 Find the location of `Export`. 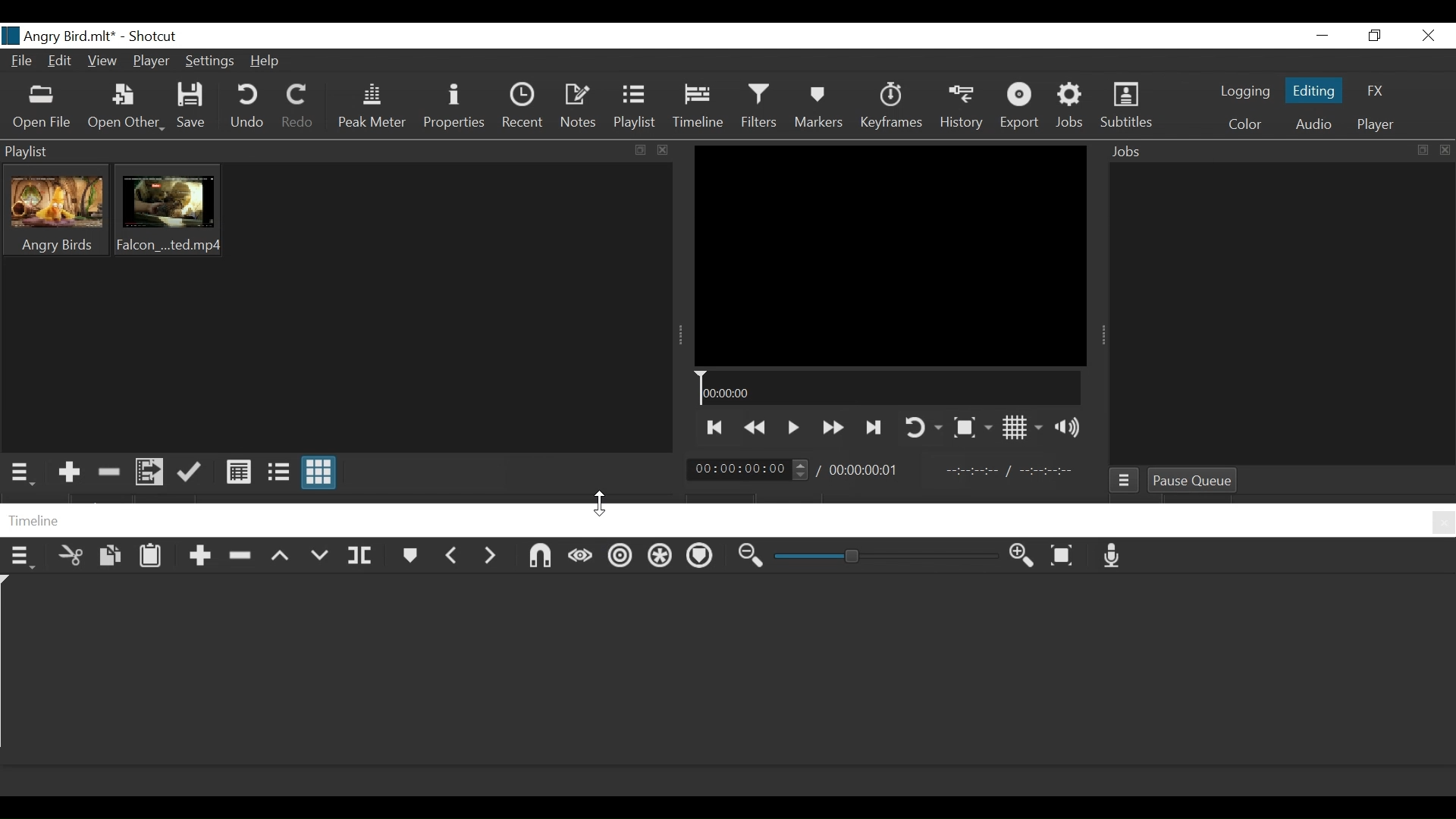

Export is located at coordinates (1021, 106).